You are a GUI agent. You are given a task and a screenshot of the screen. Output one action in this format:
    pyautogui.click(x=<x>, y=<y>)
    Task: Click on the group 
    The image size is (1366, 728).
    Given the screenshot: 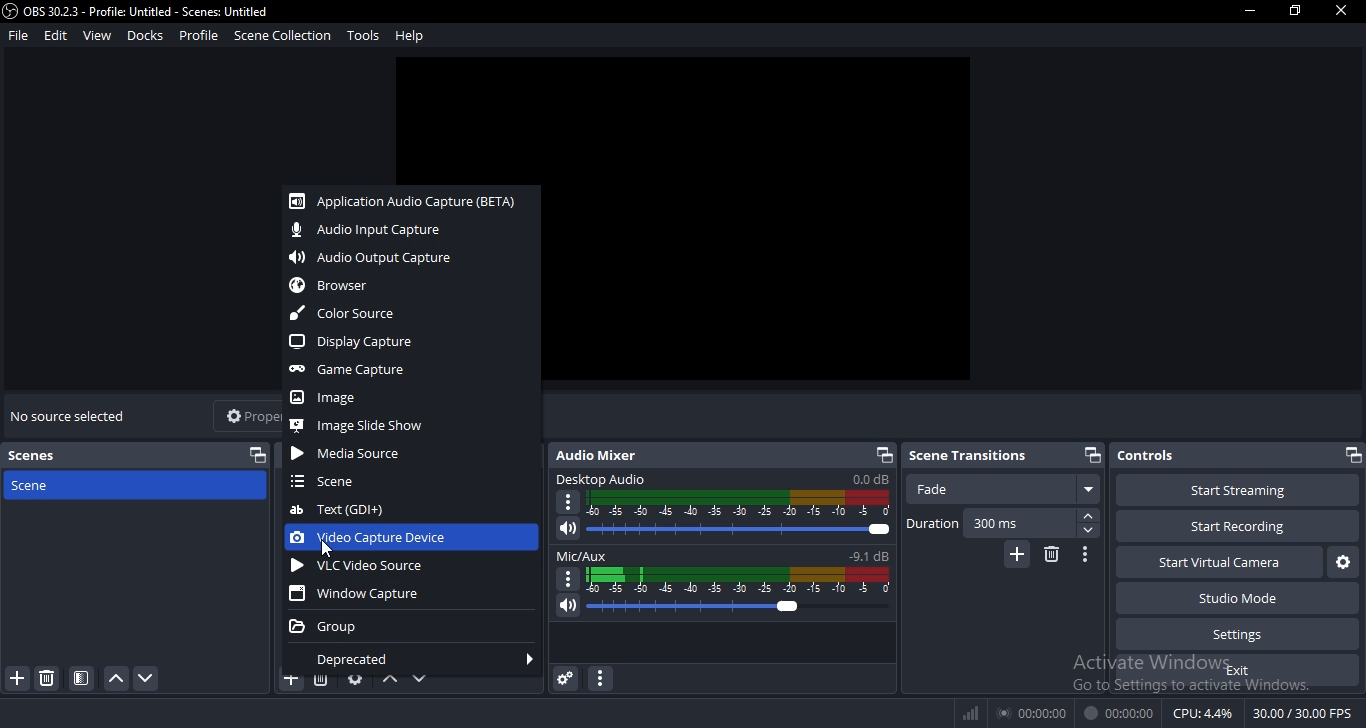 What is the action you would take?
    pyautogui.click(x=330, y=628)
    